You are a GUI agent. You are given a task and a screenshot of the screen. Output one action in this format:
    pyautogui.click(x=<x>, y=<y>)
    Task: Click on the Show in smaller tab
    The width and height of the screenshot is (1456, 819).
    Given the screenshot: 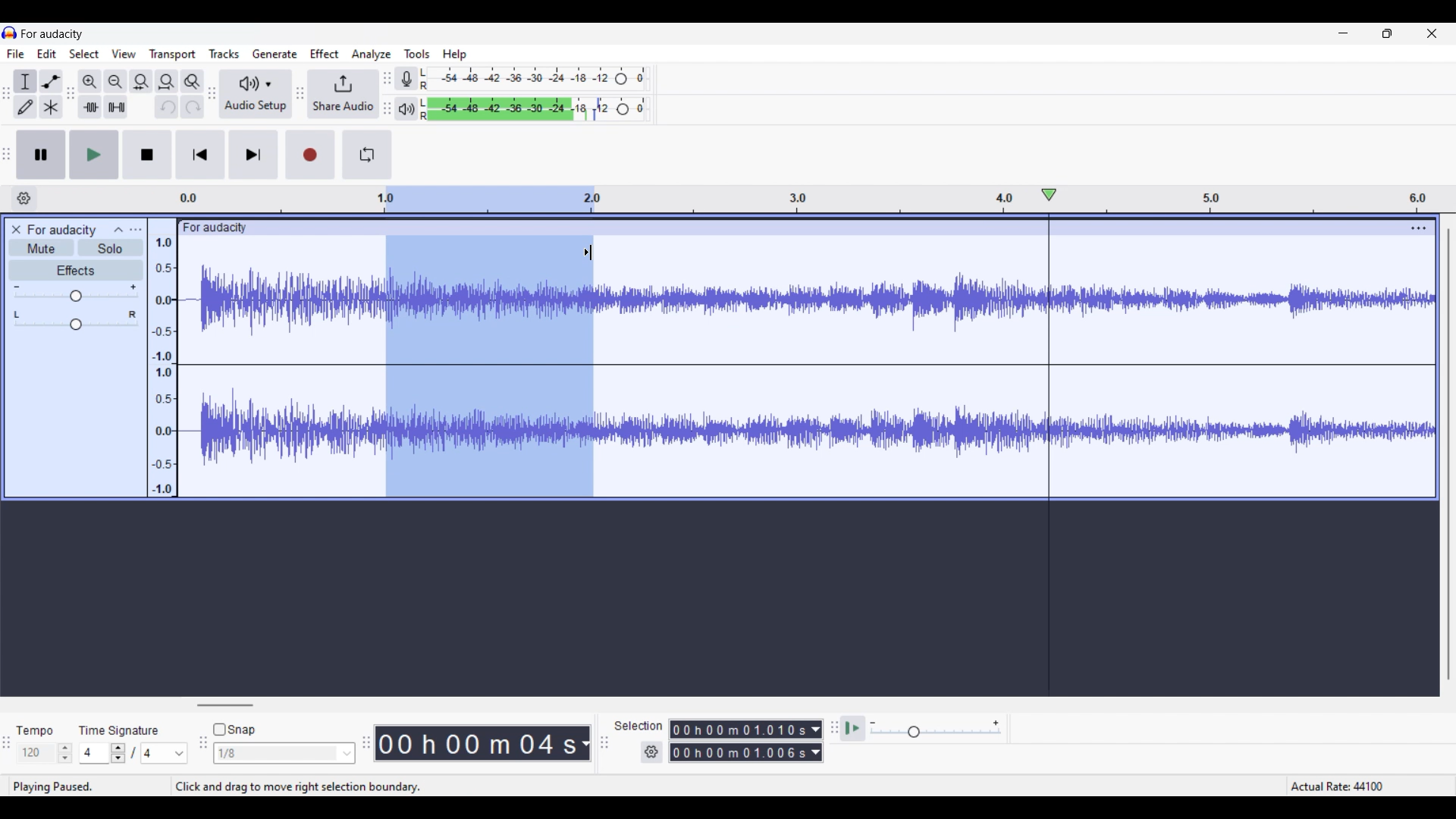 What is the action you would take?
    pyautogui.click(x=1387, y=33)
    